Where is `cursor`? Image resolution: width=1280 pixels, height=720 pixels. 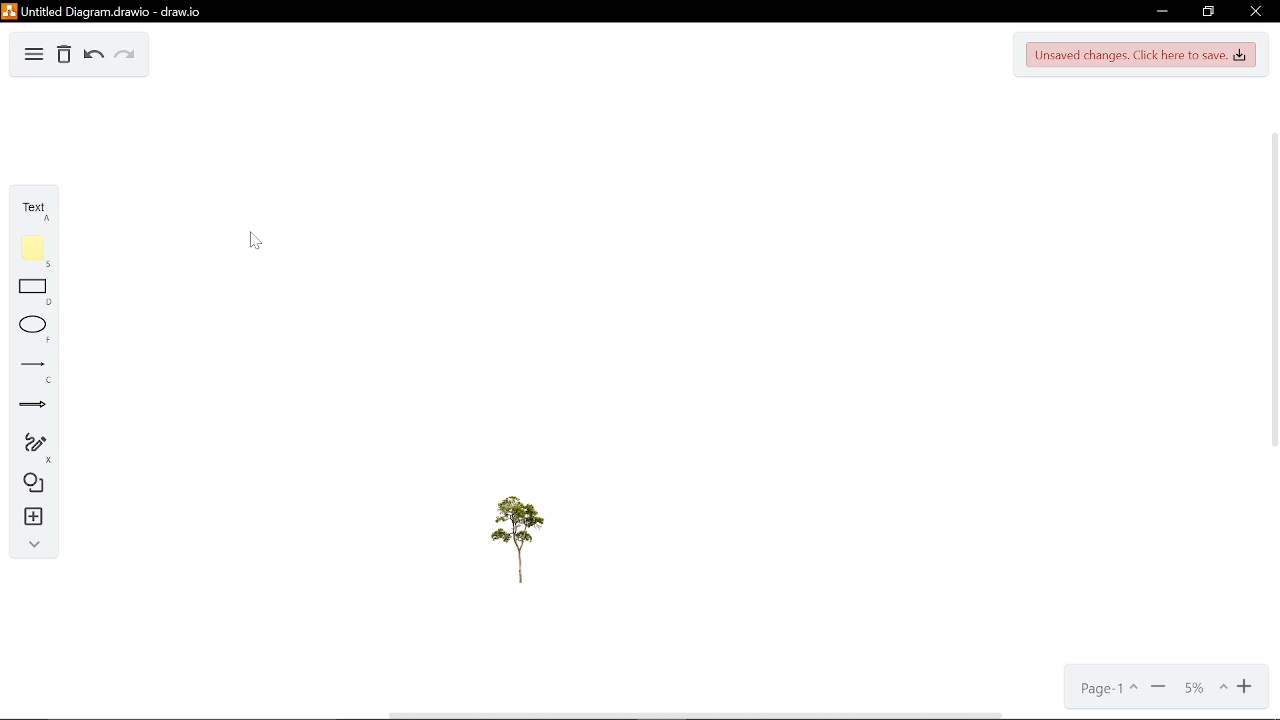
cursor is located at coordinates (252, 239).